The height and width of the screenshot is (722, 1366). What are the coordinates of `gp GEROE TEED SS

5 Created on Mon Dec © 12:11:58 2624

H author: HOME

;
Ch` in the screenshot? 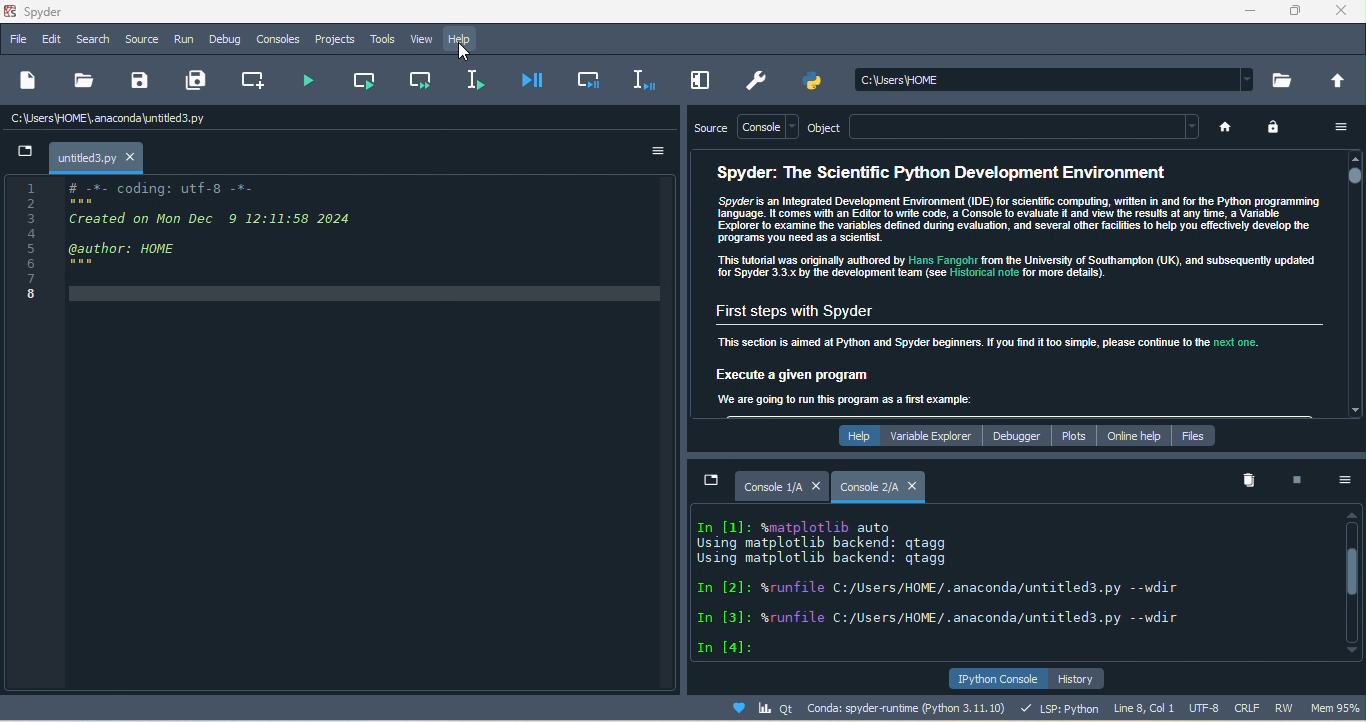 It's located at (234, 248).